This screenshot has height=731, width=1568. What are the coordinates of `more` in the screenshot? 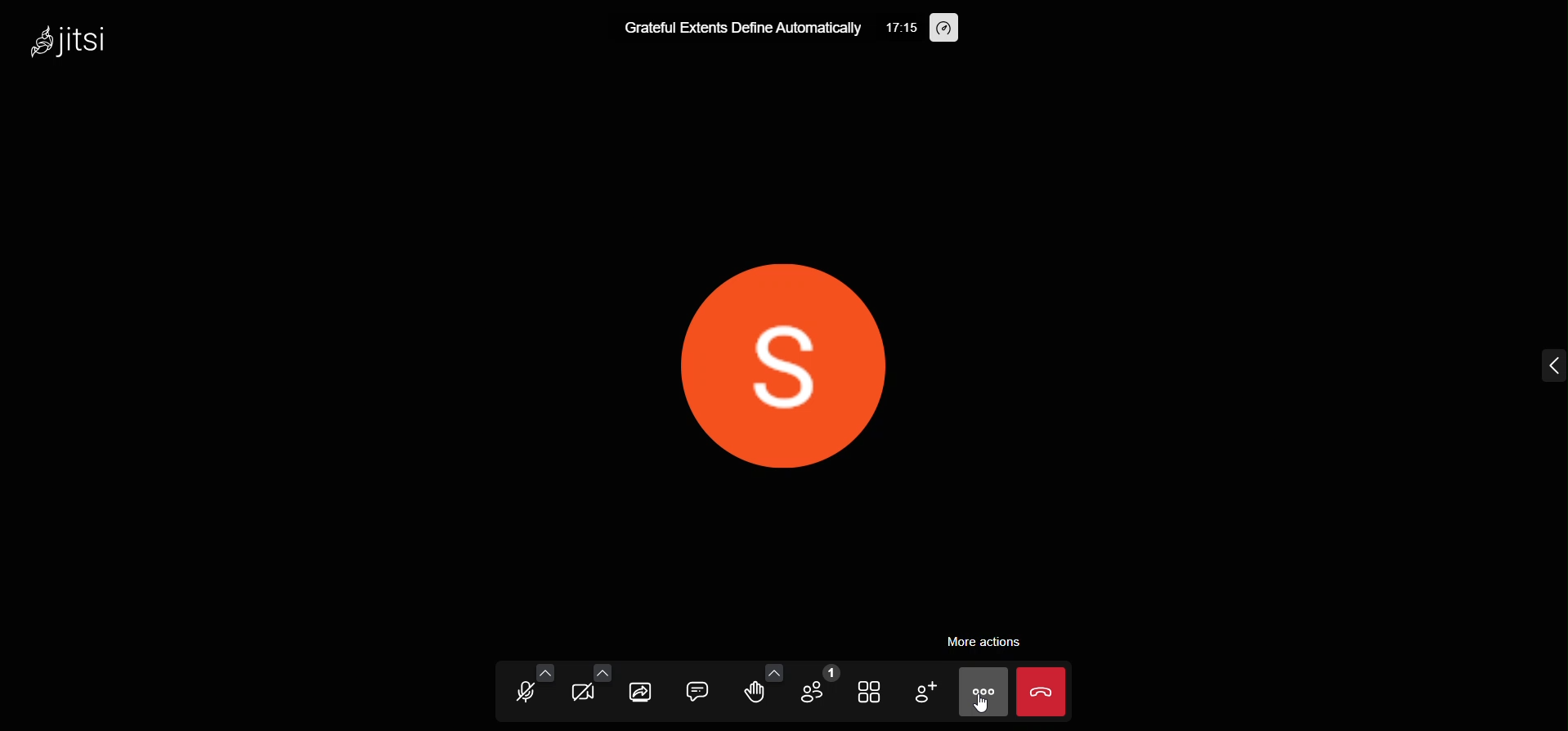 It's located at (983, 690).